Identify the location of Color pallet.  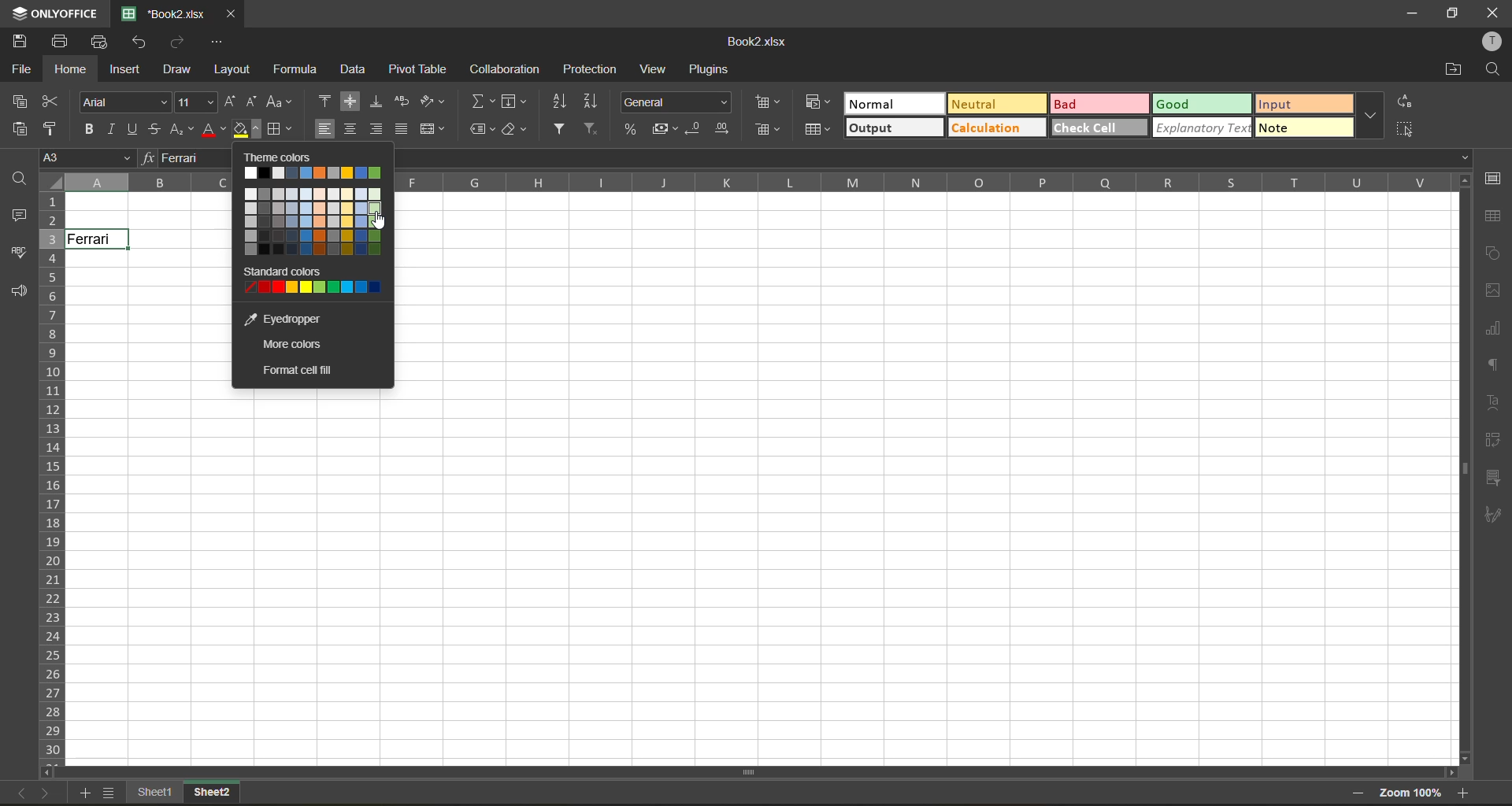
(316, 173).